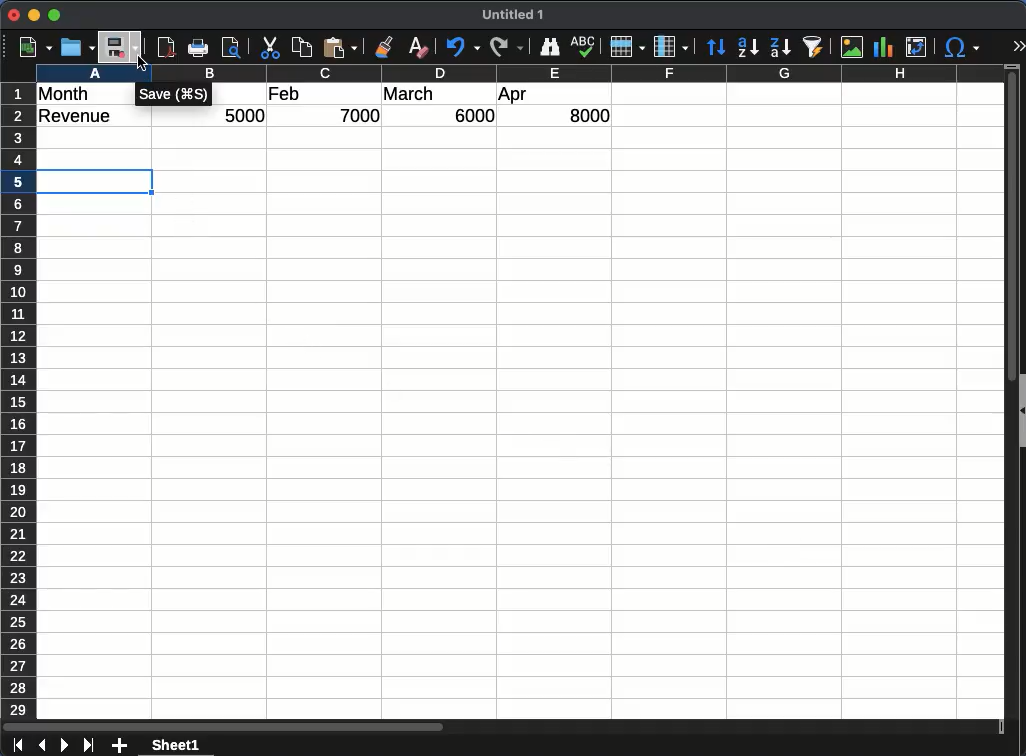 The height and width of the screenshot is (756, 1026). What do you see at coordinates (962, 48) in the screenshot?
I see `special characters` at bounding box center [962, 48].